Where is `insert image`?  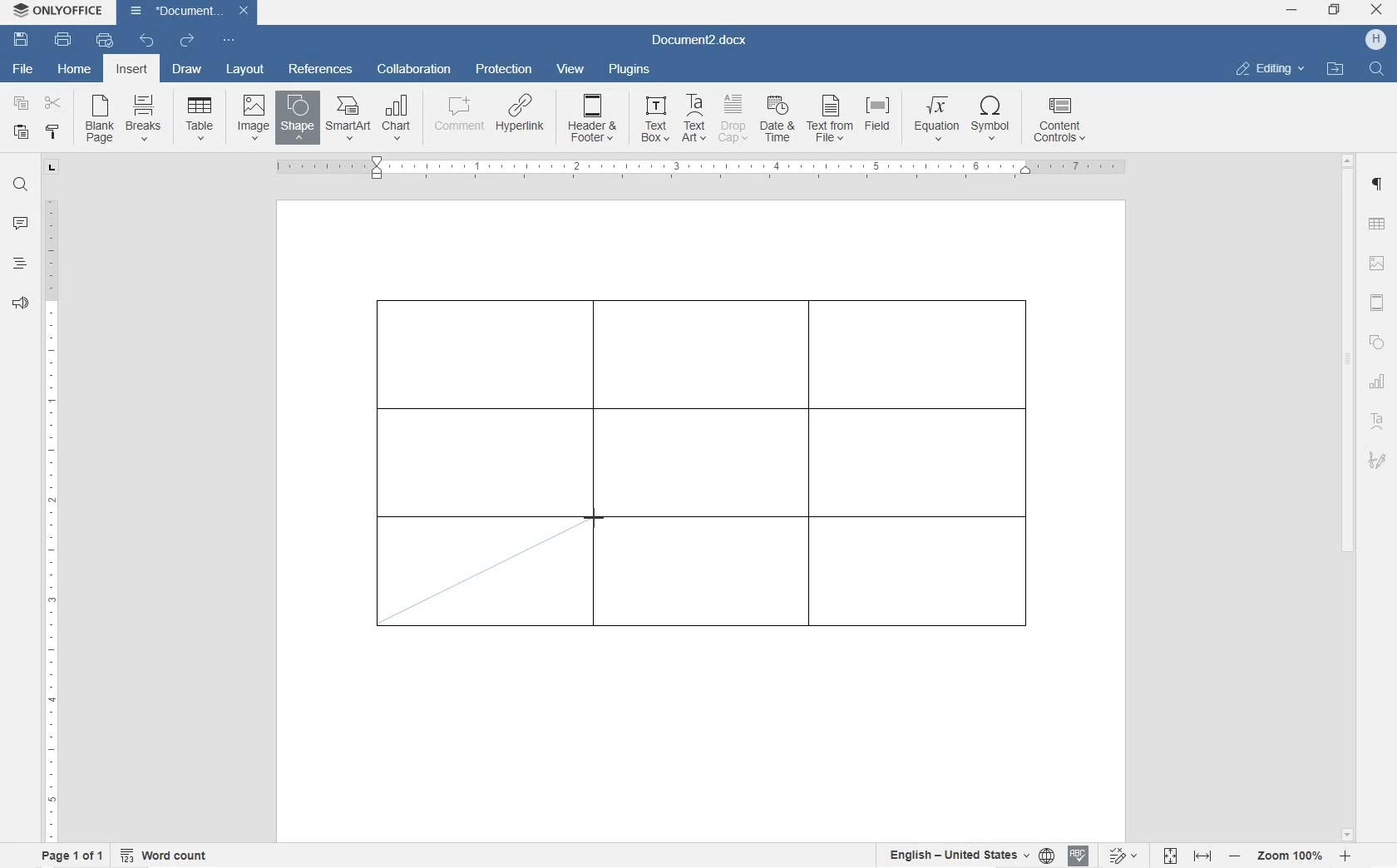 insert image is located at coordinates (254, 116).